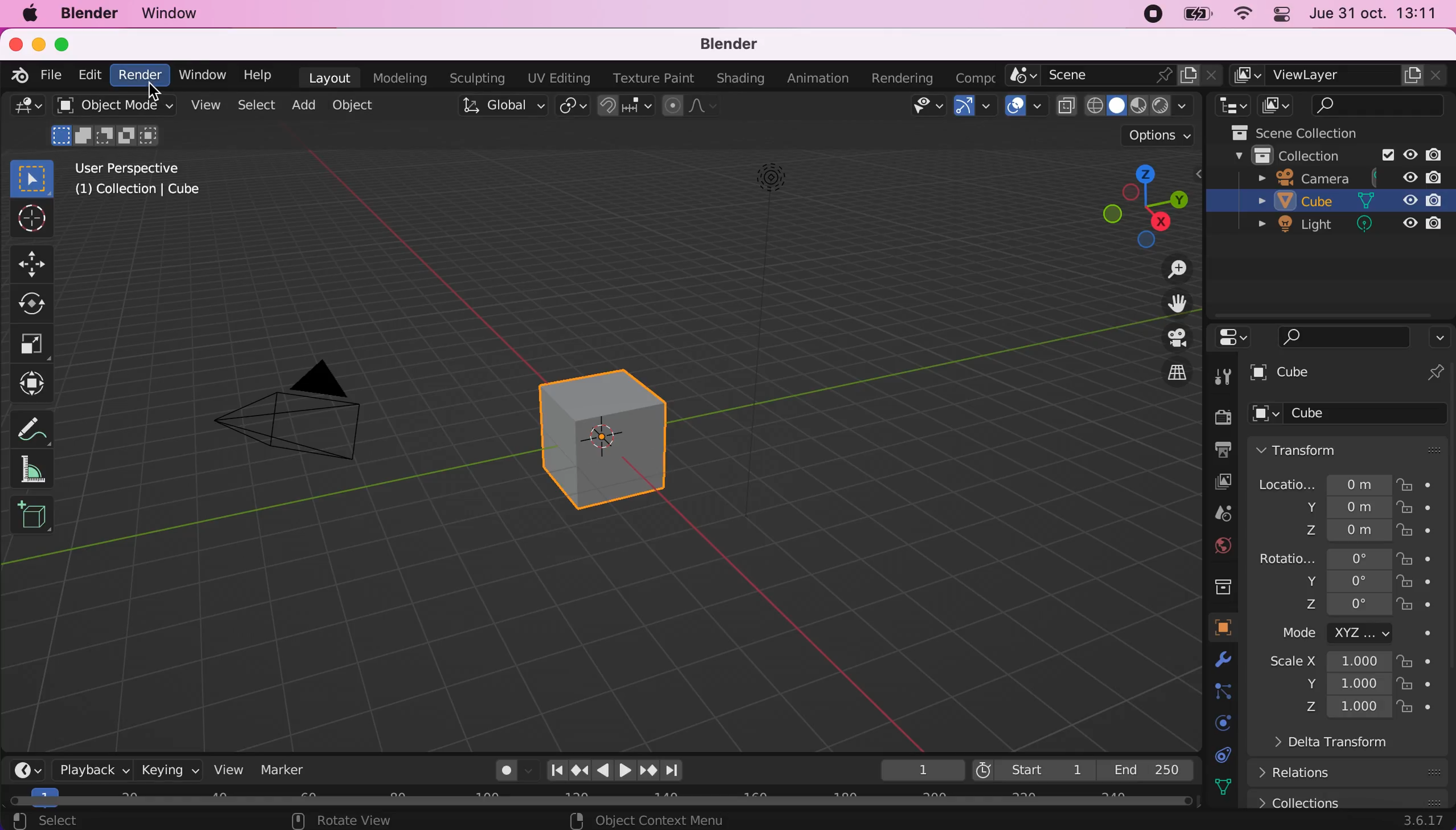  What do you see at coordinates (1333, 529) in the screenshot?
I see `location z` at bounding box center [1333, 529].